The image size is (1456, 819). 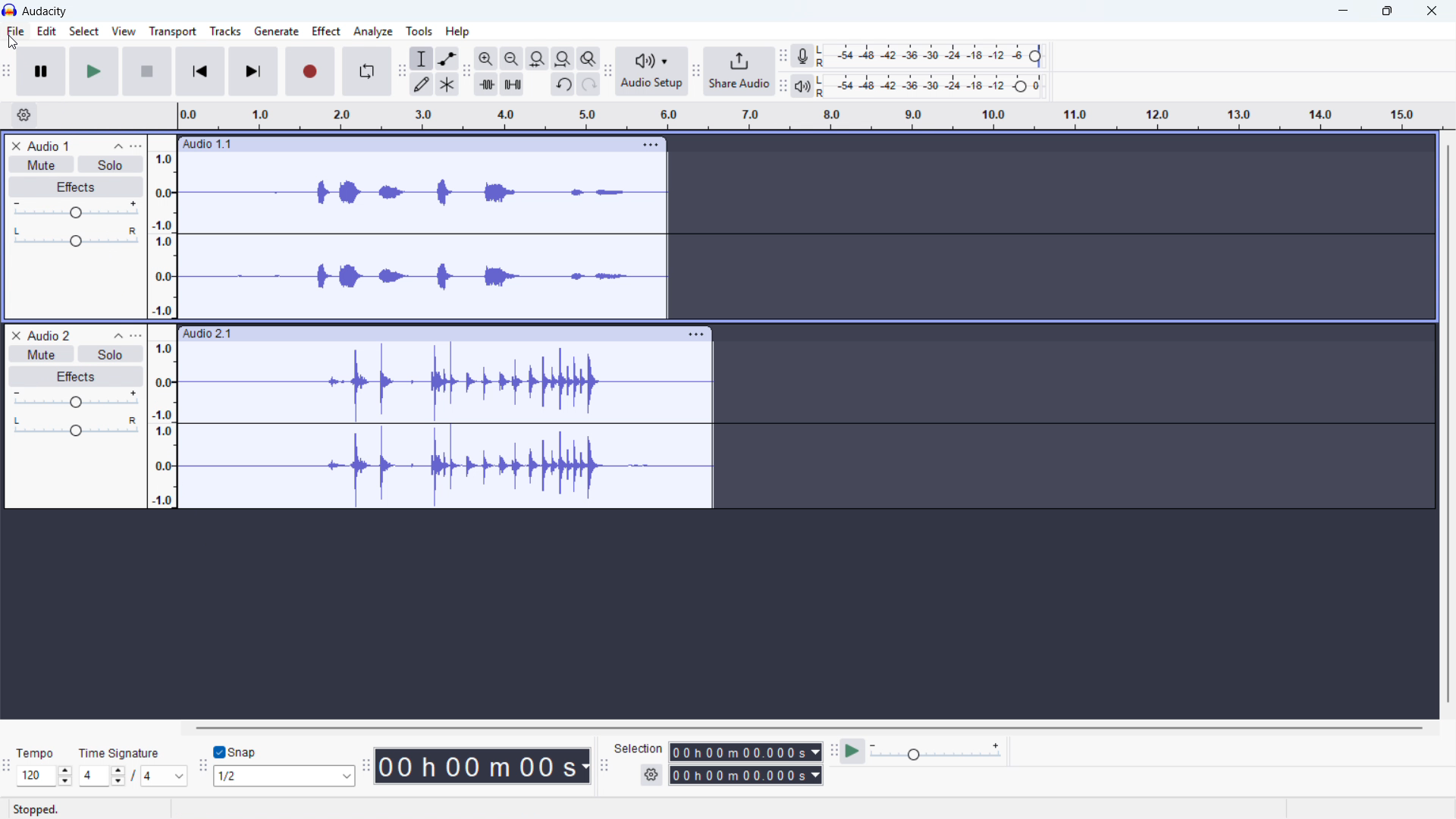 What do you see at coordinates (485, 58) in the screenshot?
I see `Zoom in` at bounding box center [485, 58].